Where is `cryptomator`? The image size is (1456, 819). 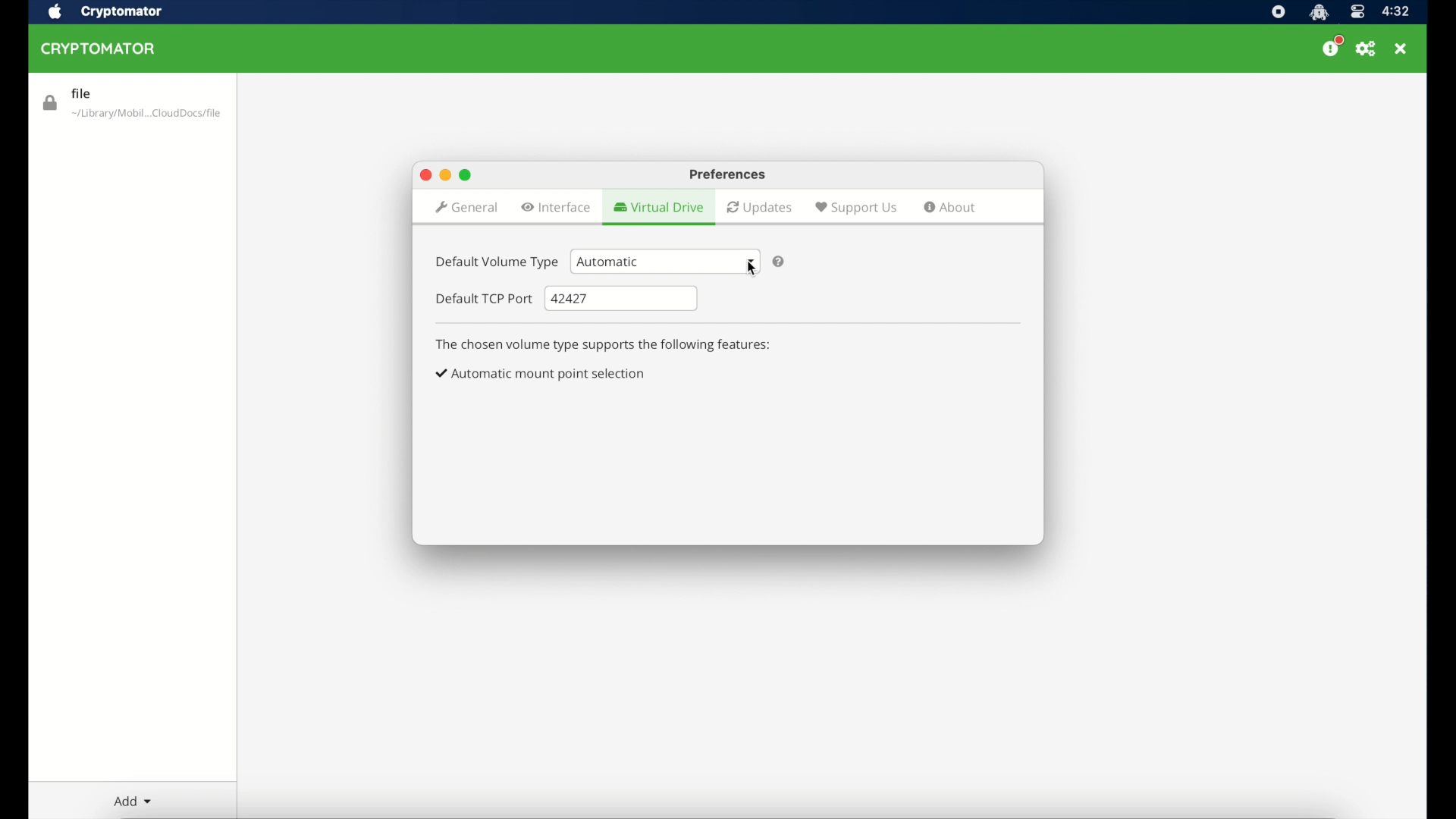
cryptomator is located at coordinates (102, 49).